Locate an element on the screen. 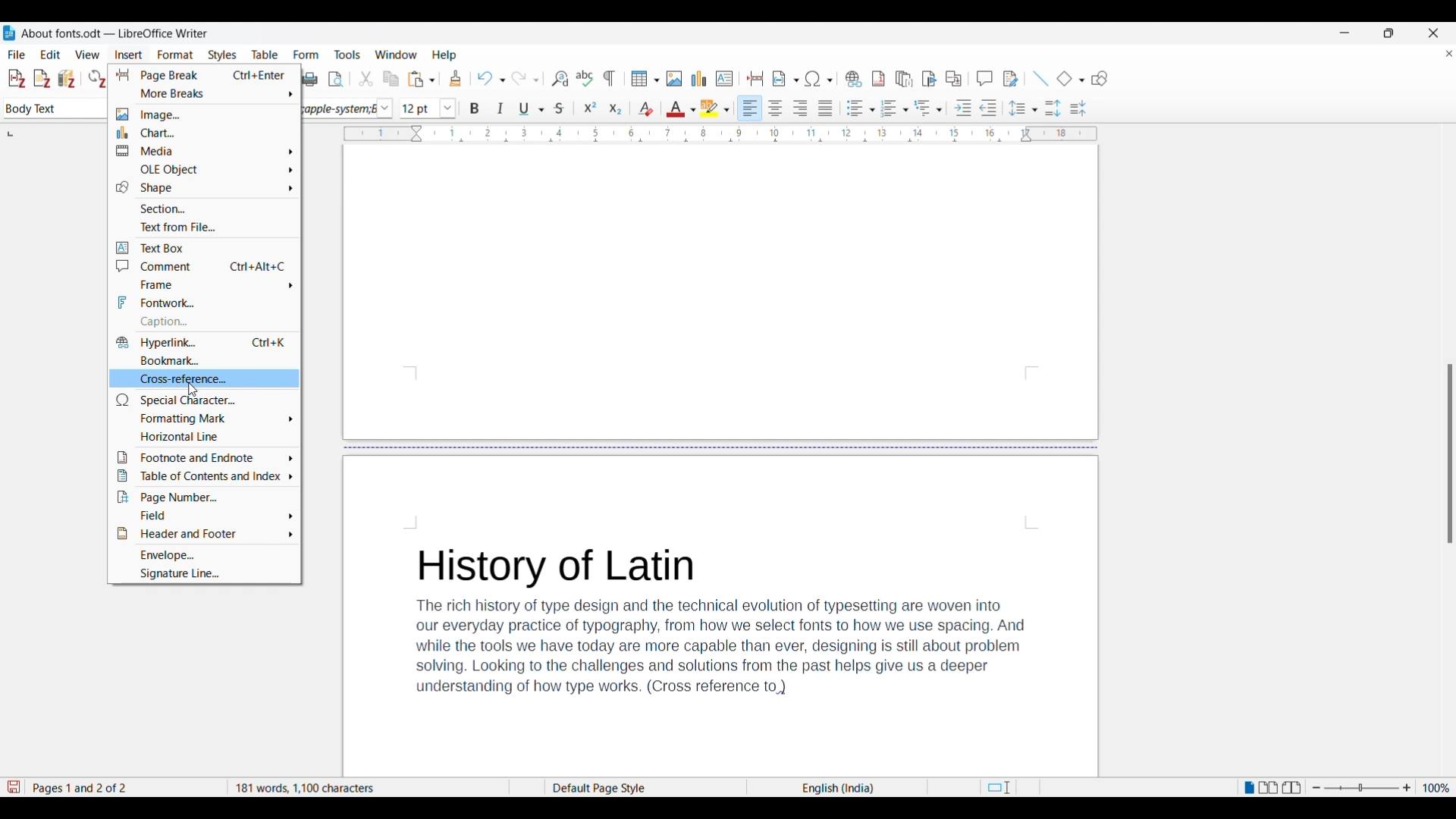  Edit menu is located at coordinates (50, 54).